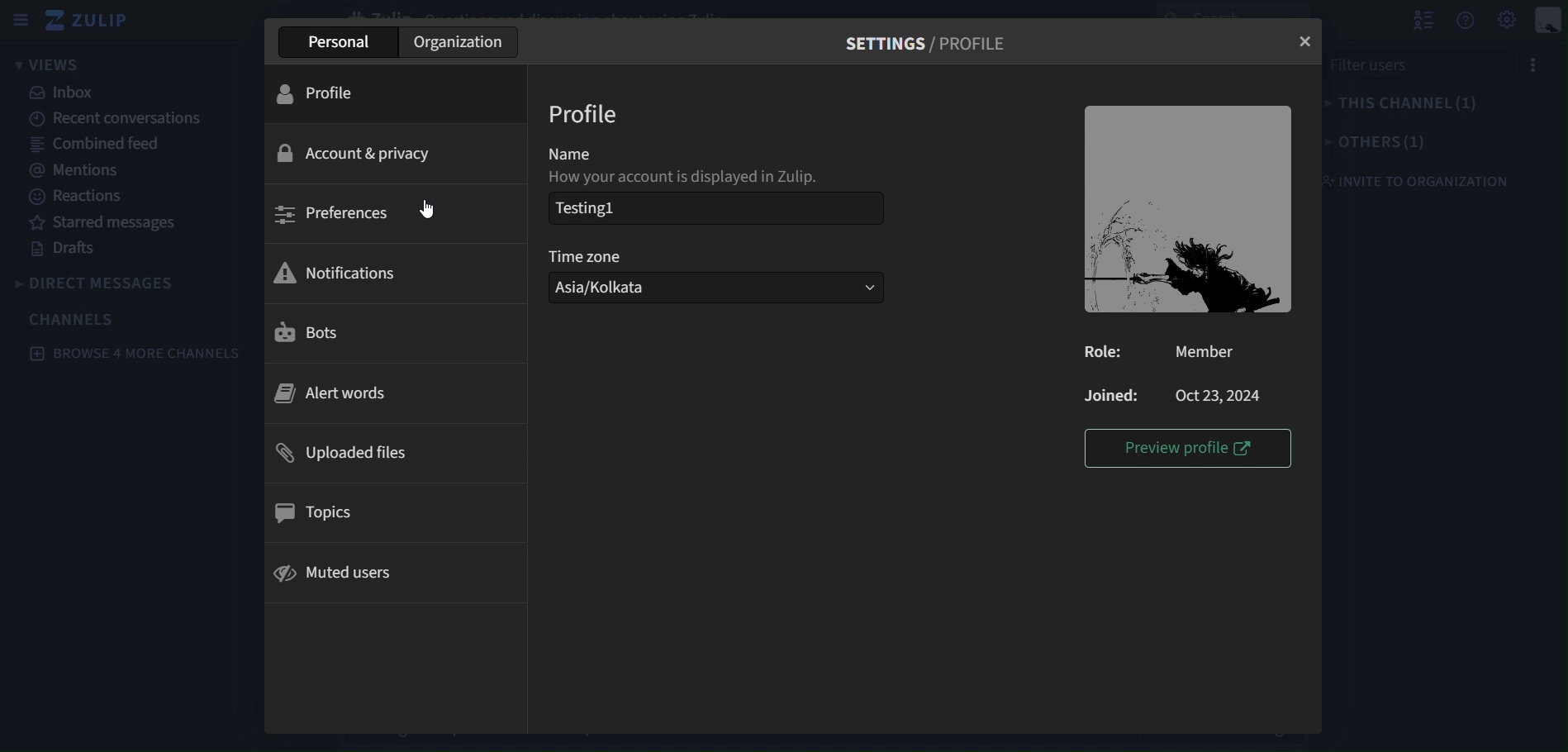 The image size is (1568, 752). What do you see at coordinates (388, 331) in the screenshot?
I see `bots` at bounding box center [388, 331].